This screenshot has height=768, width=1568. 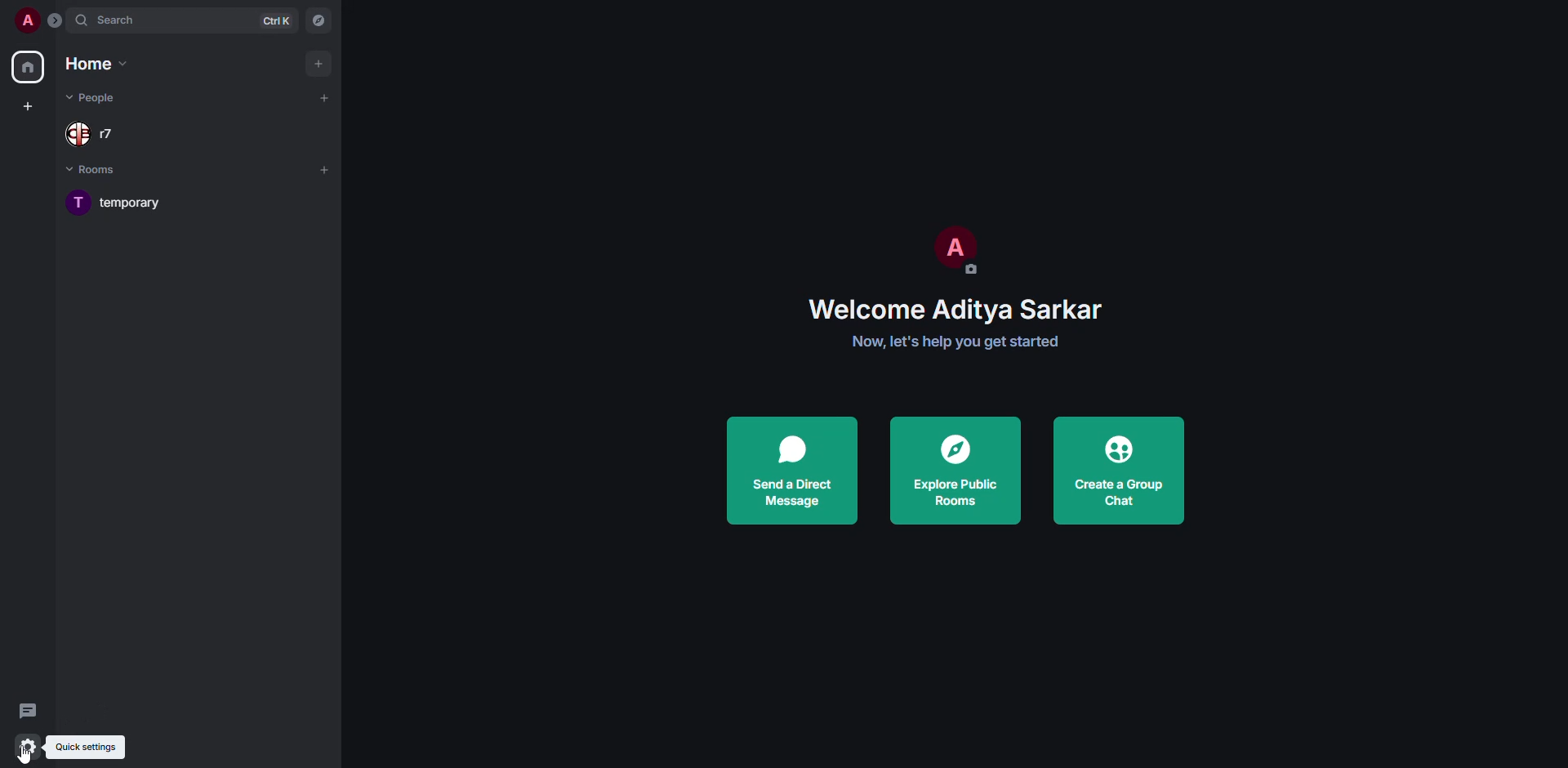 What do you see at coordinates (1118, 470) in the screenshot?
I see `create a group chat` at bounding box center [1118, 470].